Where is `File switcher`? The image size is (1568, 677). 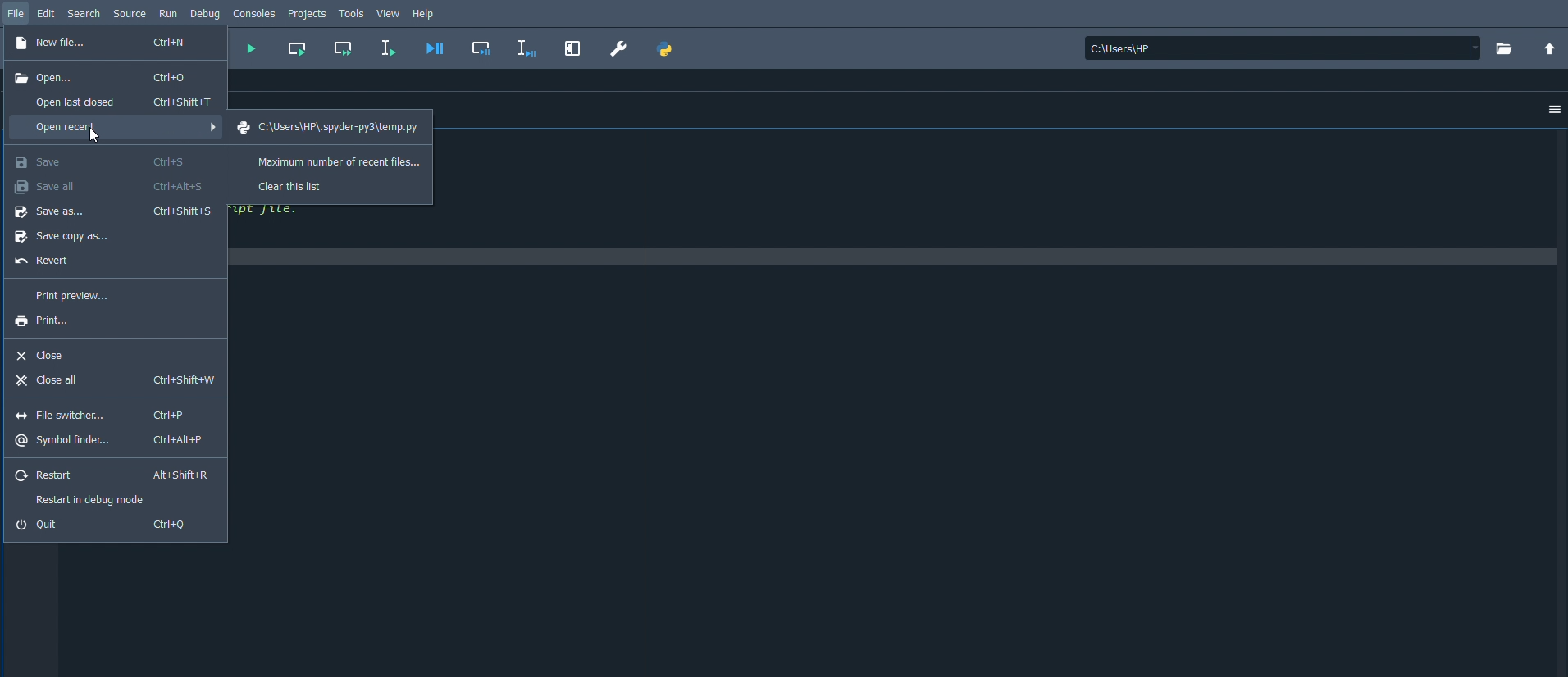
File switcher is located at coordinates (107, 415).